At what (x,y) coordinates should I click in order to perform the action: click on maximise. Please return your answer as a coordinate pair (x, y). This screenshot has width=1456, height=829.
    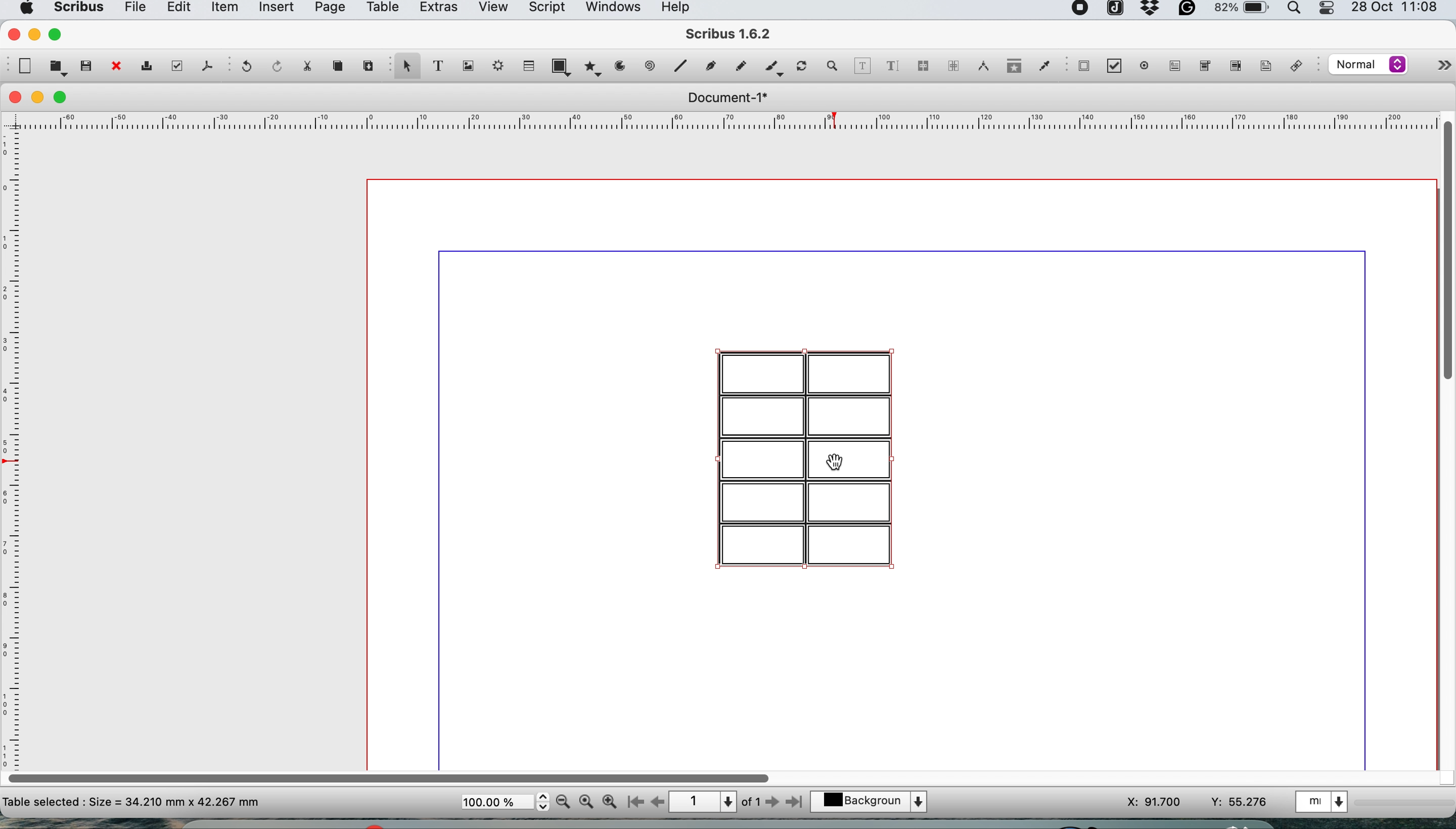
    Looking at the image, I should click on (58, 34).